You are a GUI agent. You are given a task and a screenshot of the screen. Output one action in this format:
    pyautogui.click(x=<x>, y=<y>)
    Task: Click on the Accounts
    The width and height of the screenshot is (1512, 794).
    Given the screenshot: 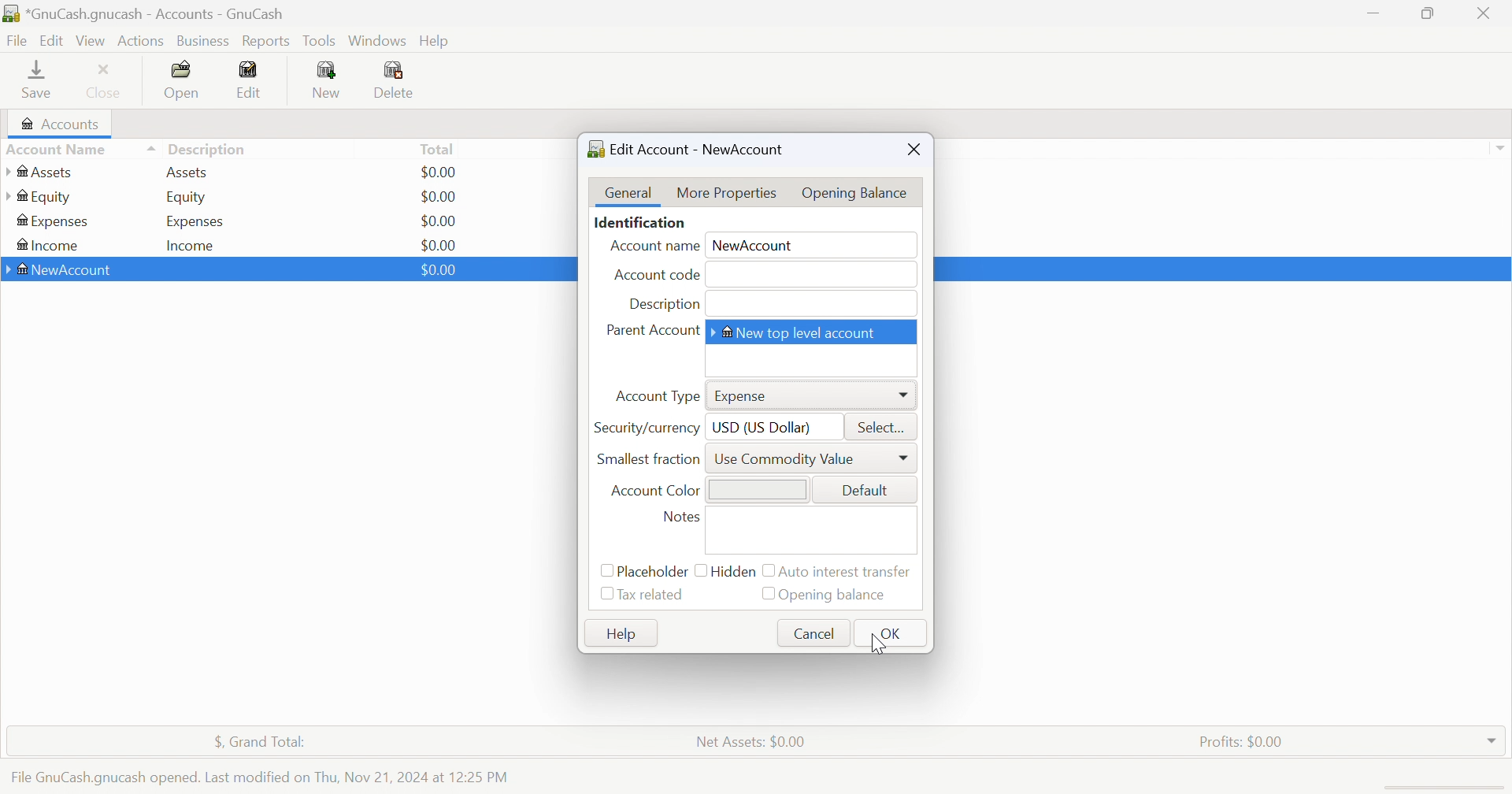 What is the action you would take?
    pyautogui.click(x=57, y=124)
    